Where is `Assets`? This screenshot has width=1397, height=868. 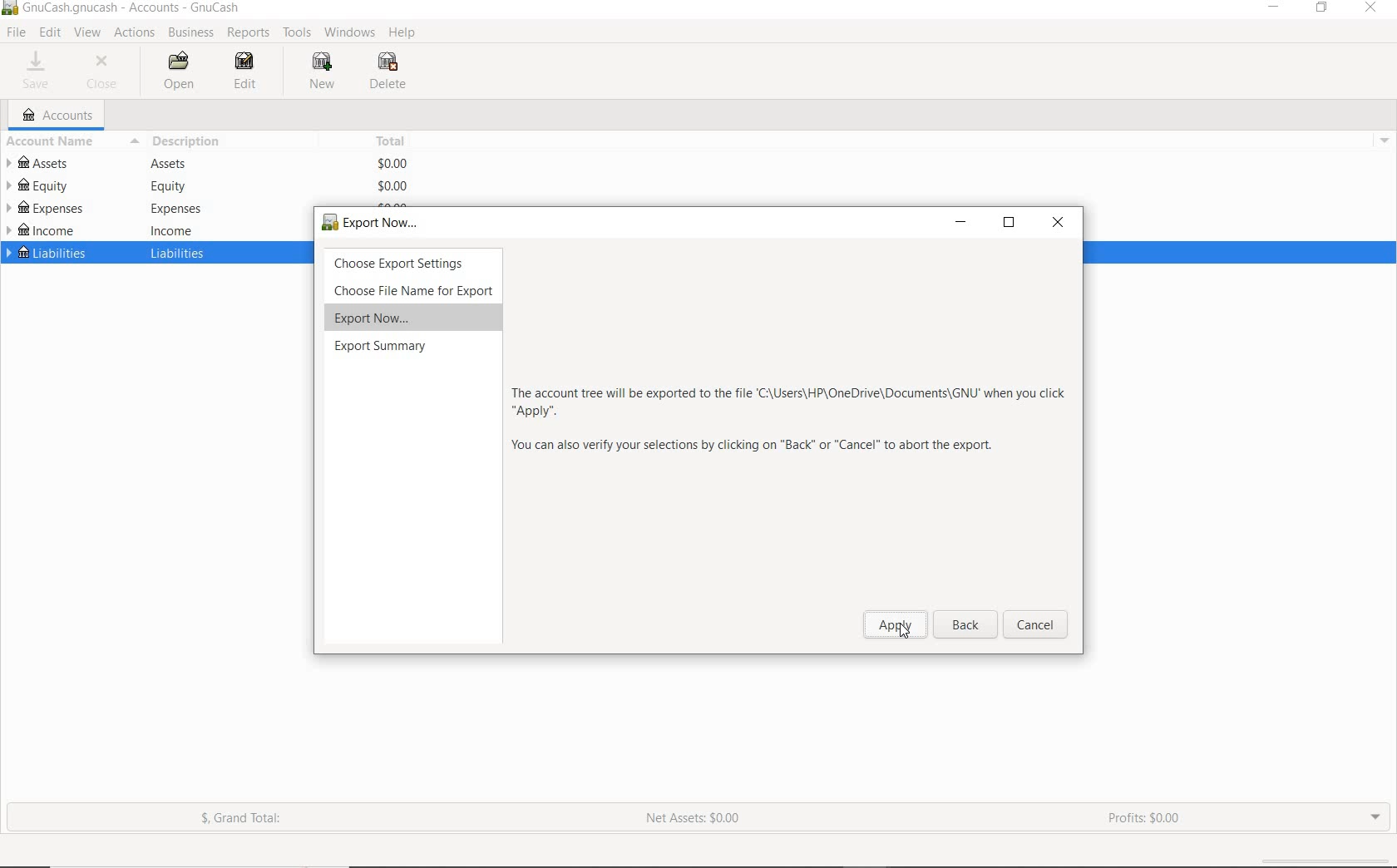
Assets is located at coordinates (170, 163).